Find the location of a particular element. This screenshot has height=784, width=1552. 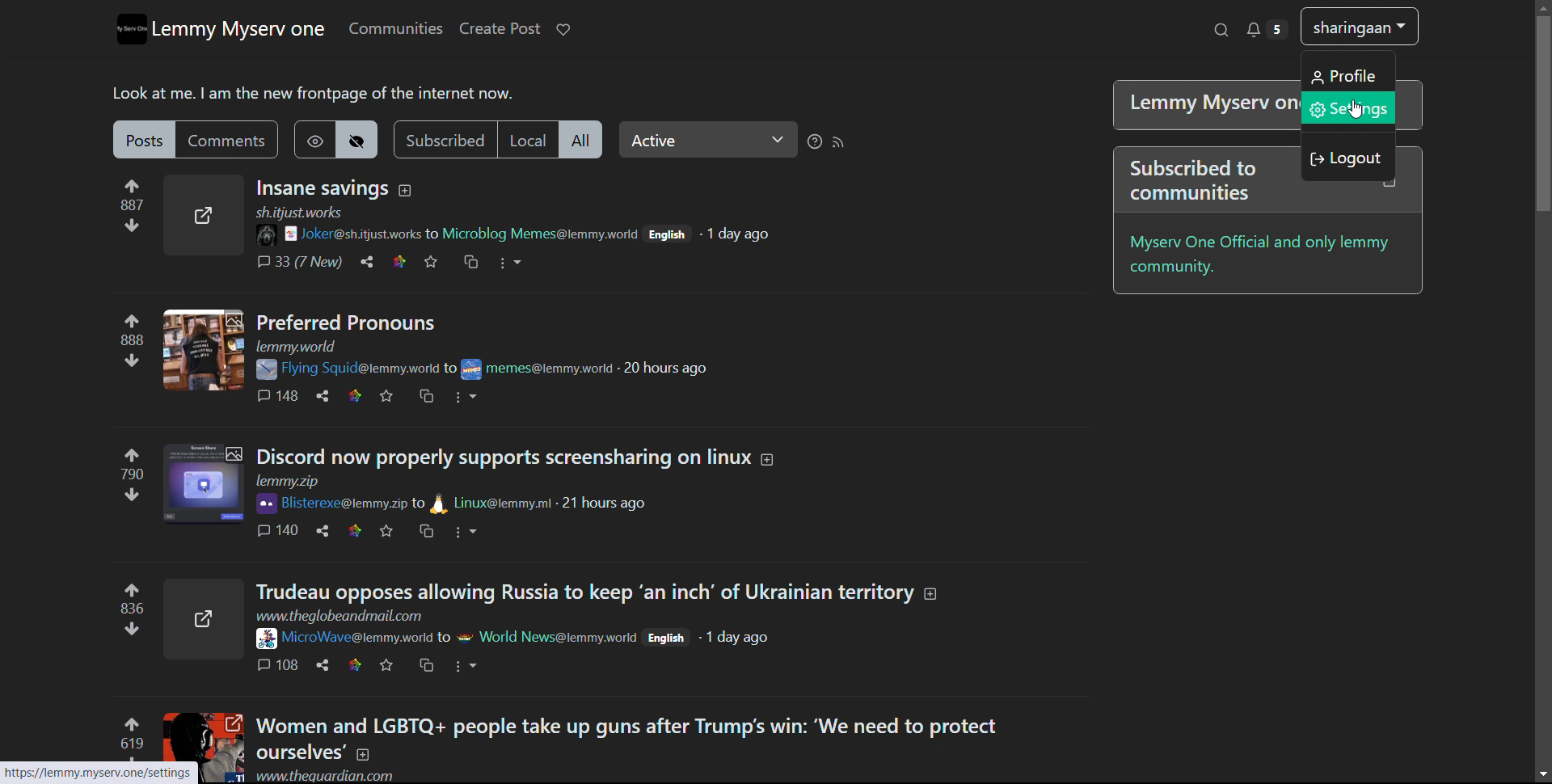

1 day ago is located at coordinates (738, 638).